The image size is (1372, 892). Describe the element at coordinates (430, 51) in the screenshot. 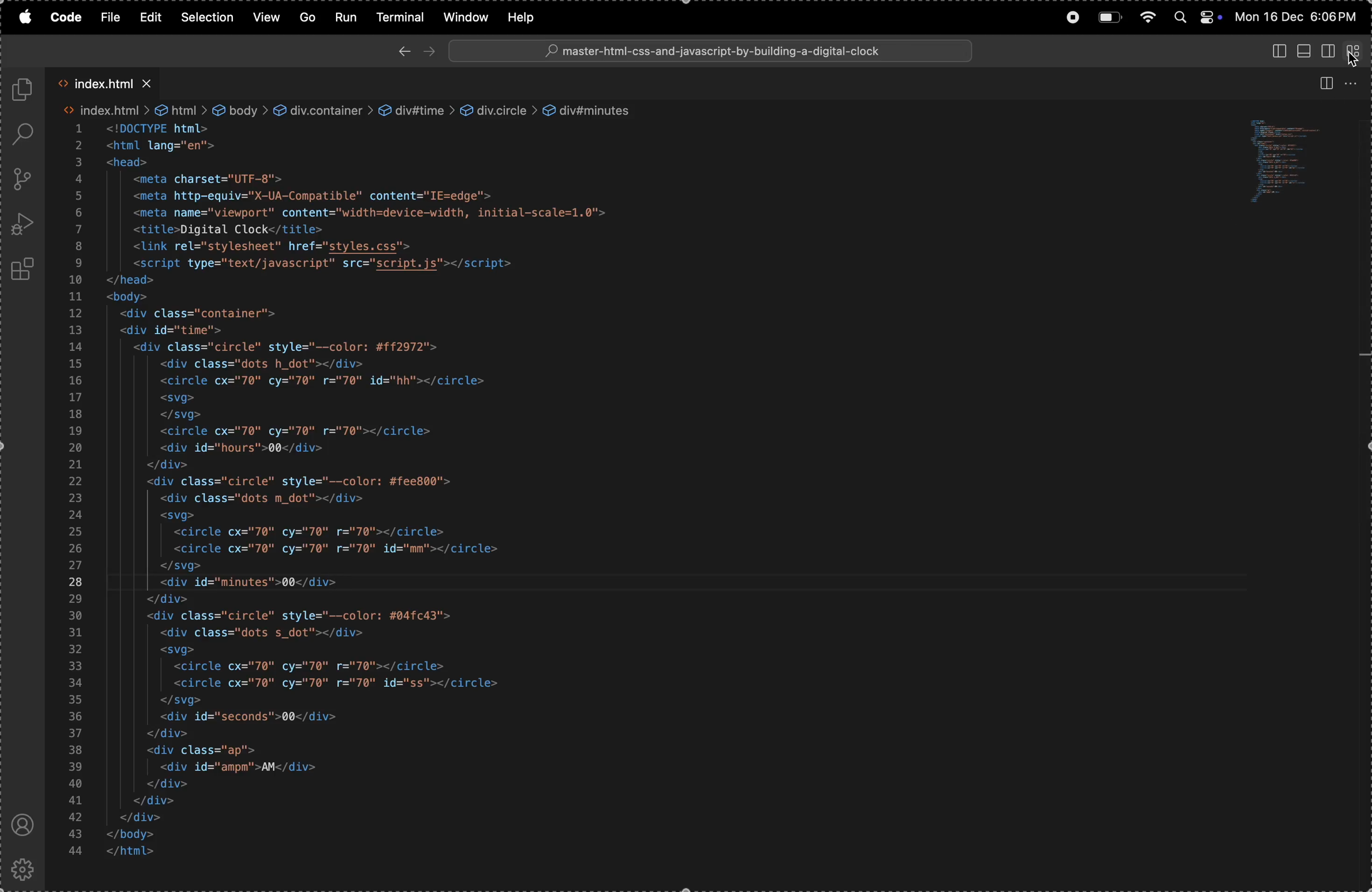

I see `forward` at that location.